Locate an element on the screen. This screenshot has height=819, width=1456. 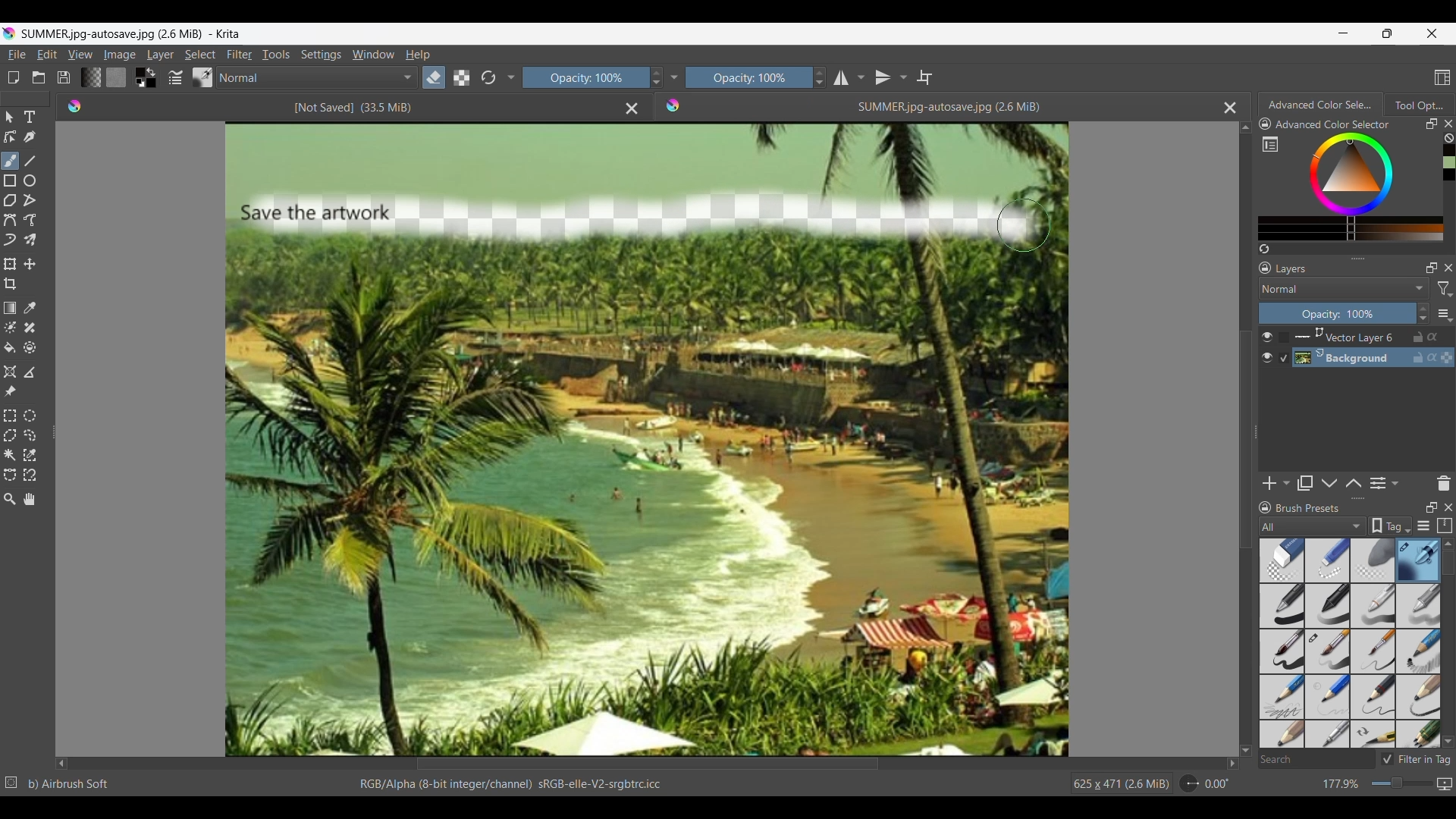
Choose workspace is located at coordinates (1442, 77).